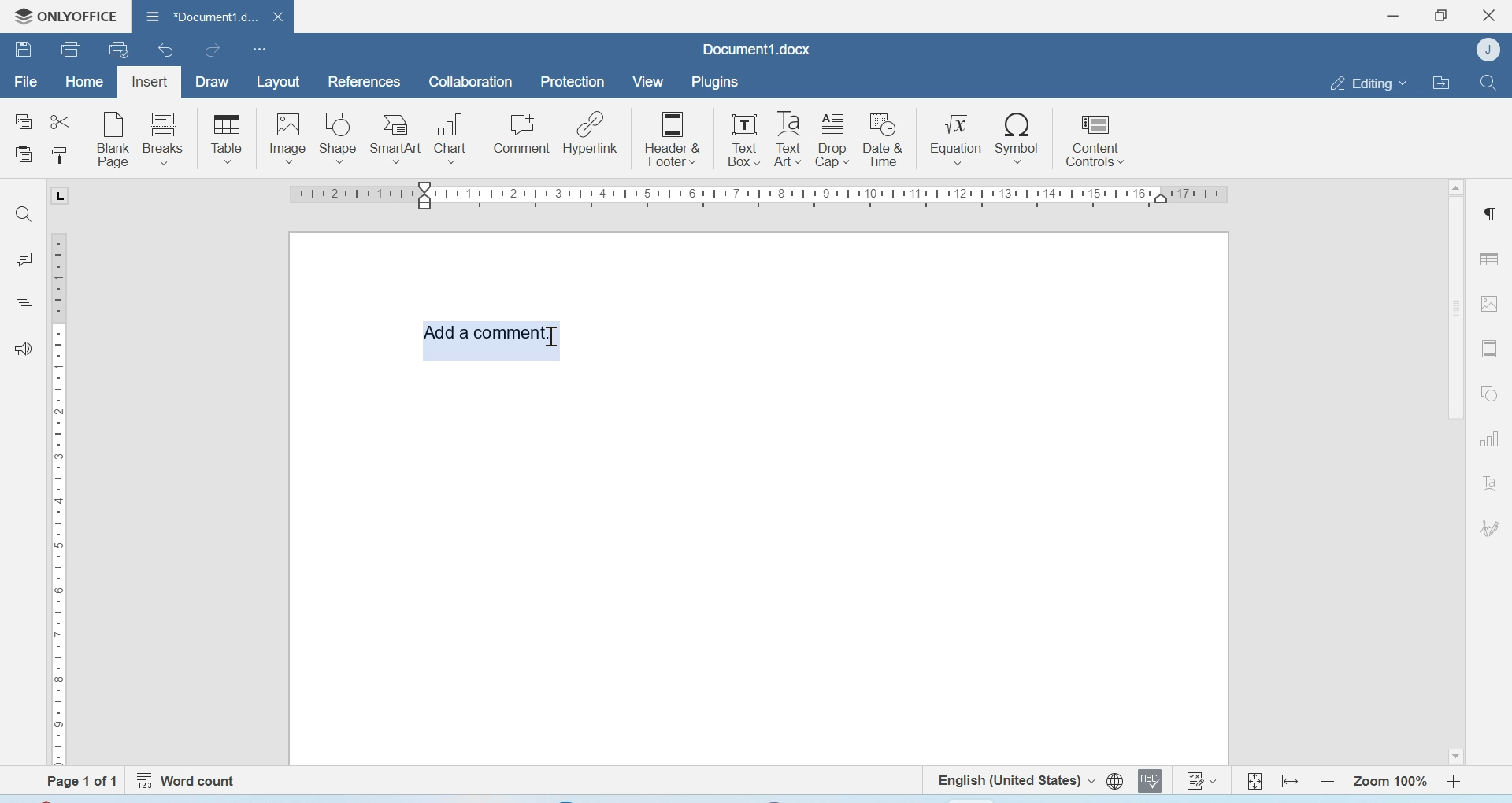 Image resolution: width=1512 pixels, height=803 pixels. I want to click on Chart, so click(452, 136).